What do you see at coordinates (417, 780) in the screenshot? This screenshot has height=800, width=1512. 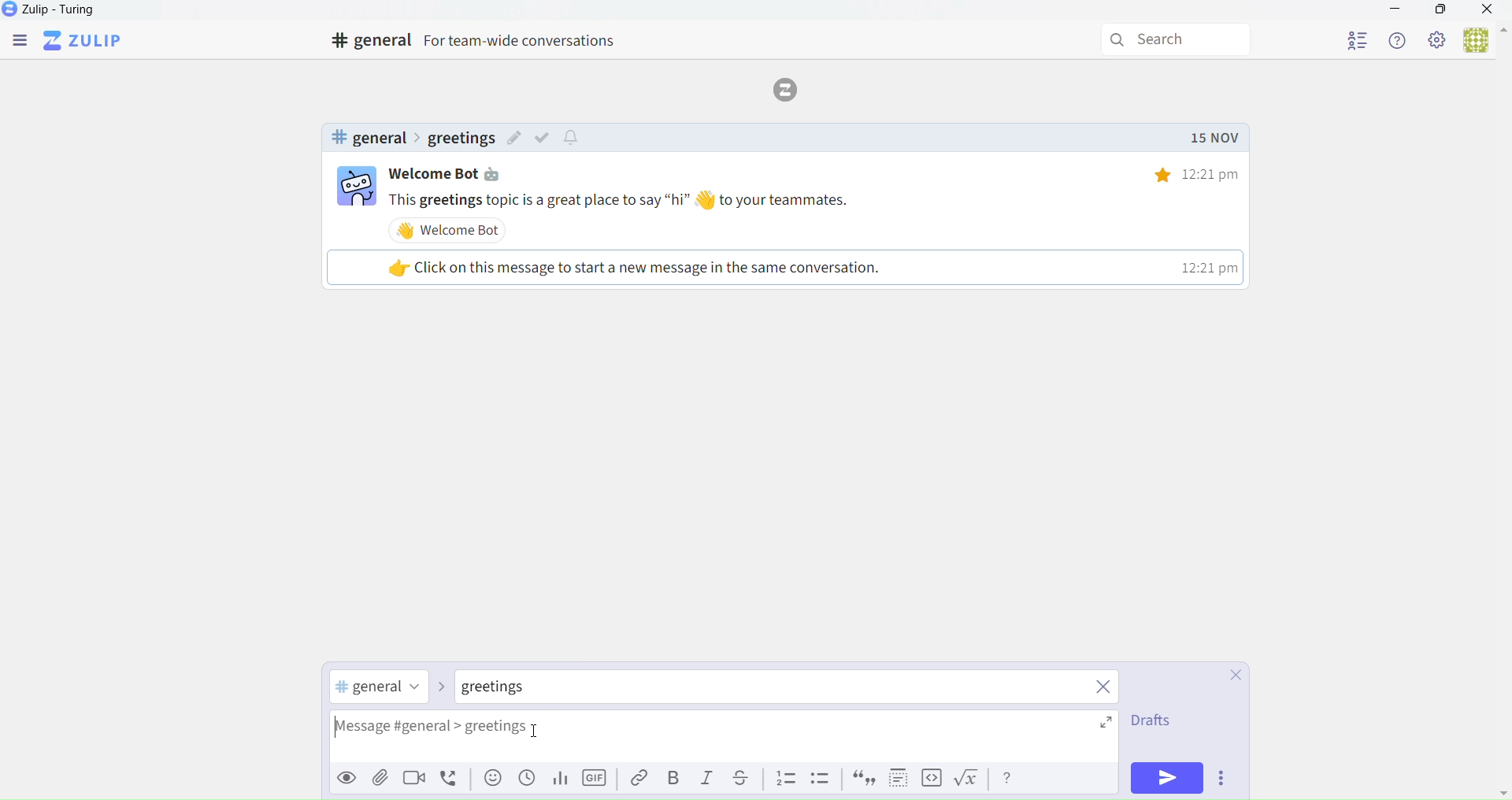 I see `VideoCall` at bounding box center [417, 780].